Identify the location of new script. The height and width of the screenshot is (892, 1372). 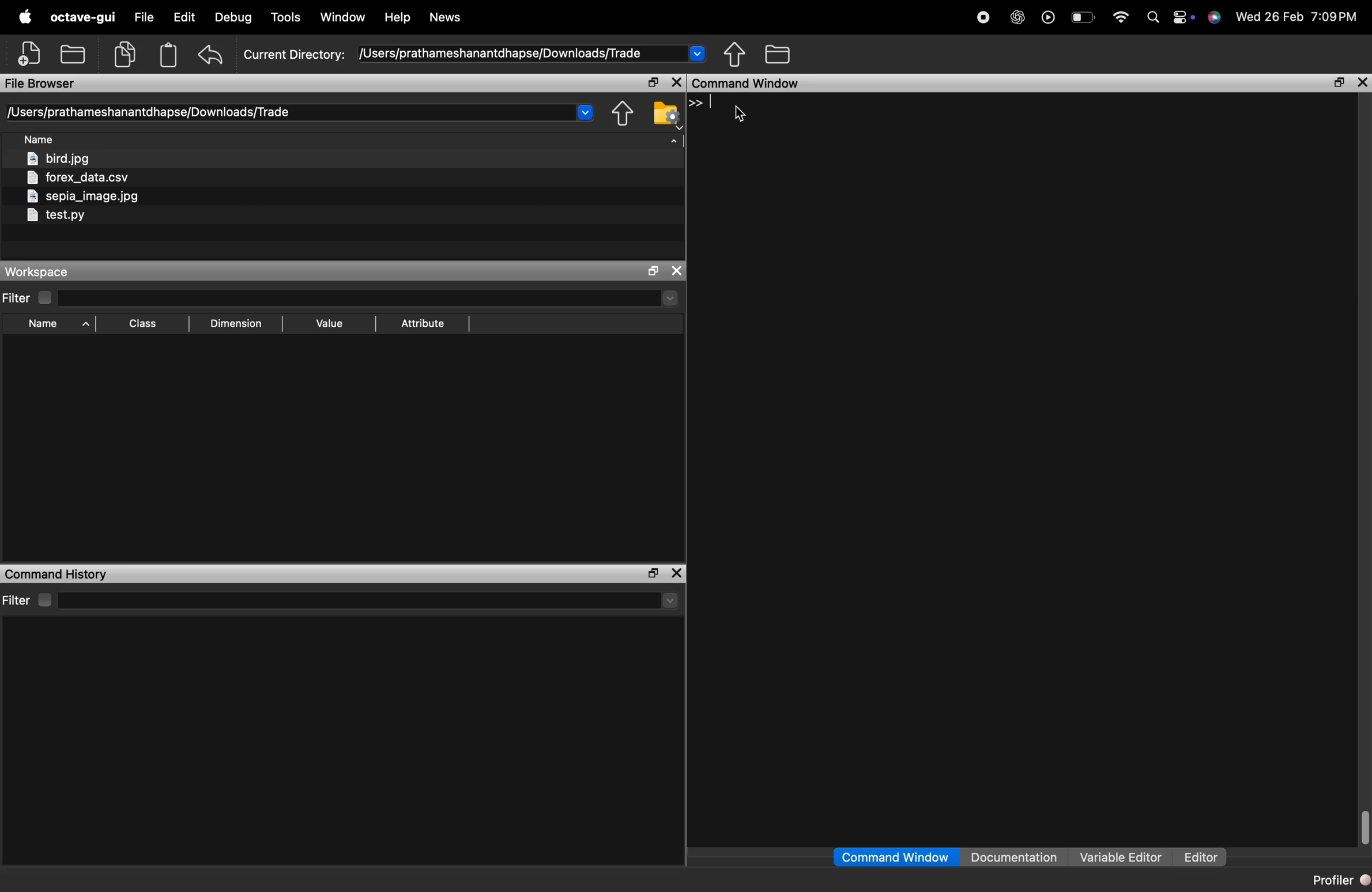
(30, 54).